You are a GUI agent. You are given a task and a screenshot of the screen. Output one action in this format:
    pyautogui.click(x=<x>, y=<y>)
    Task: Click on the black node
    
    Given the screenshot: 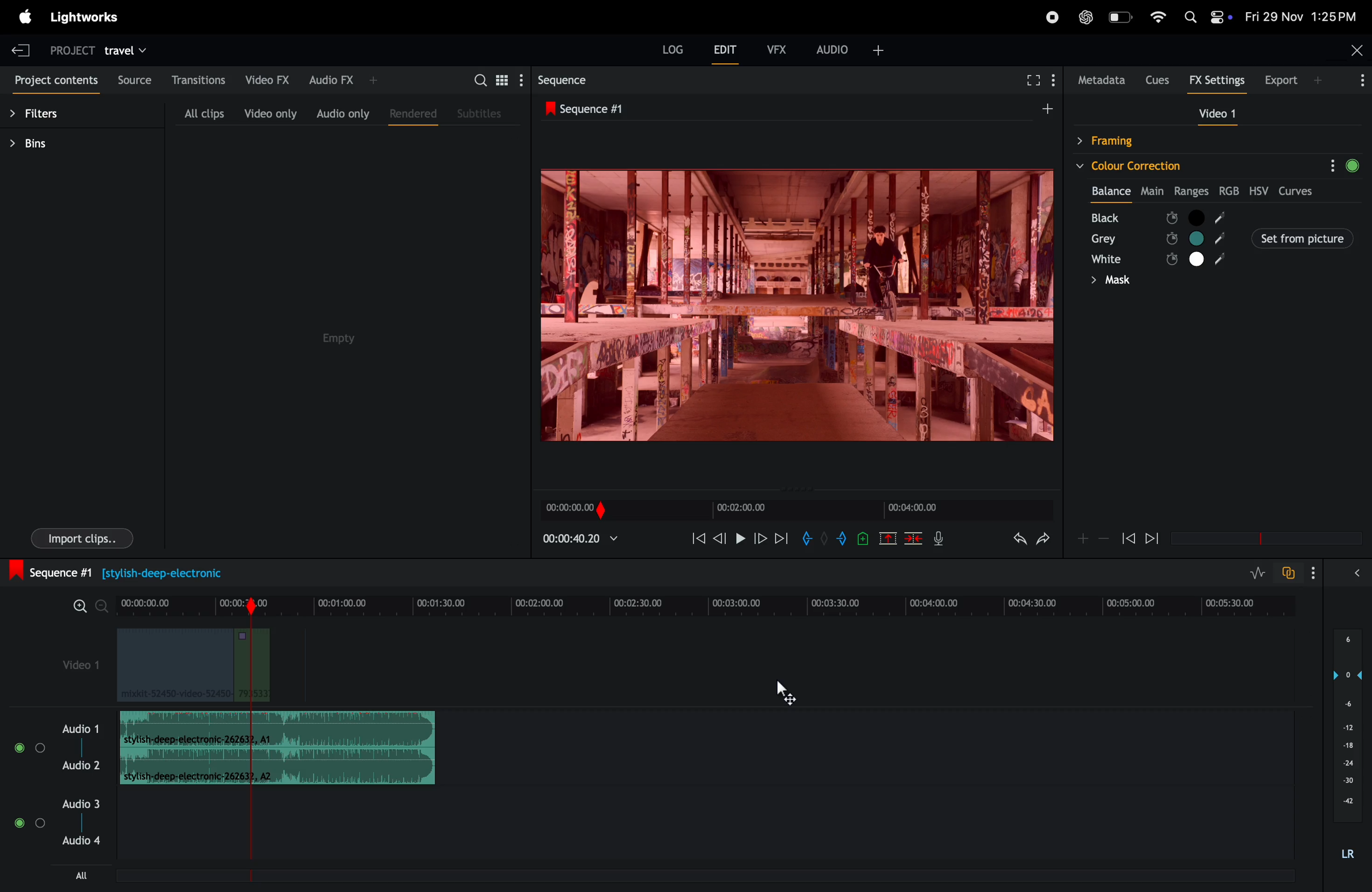 What is the action you would take?
    pyautogui.click(x=1261, y=217)
    